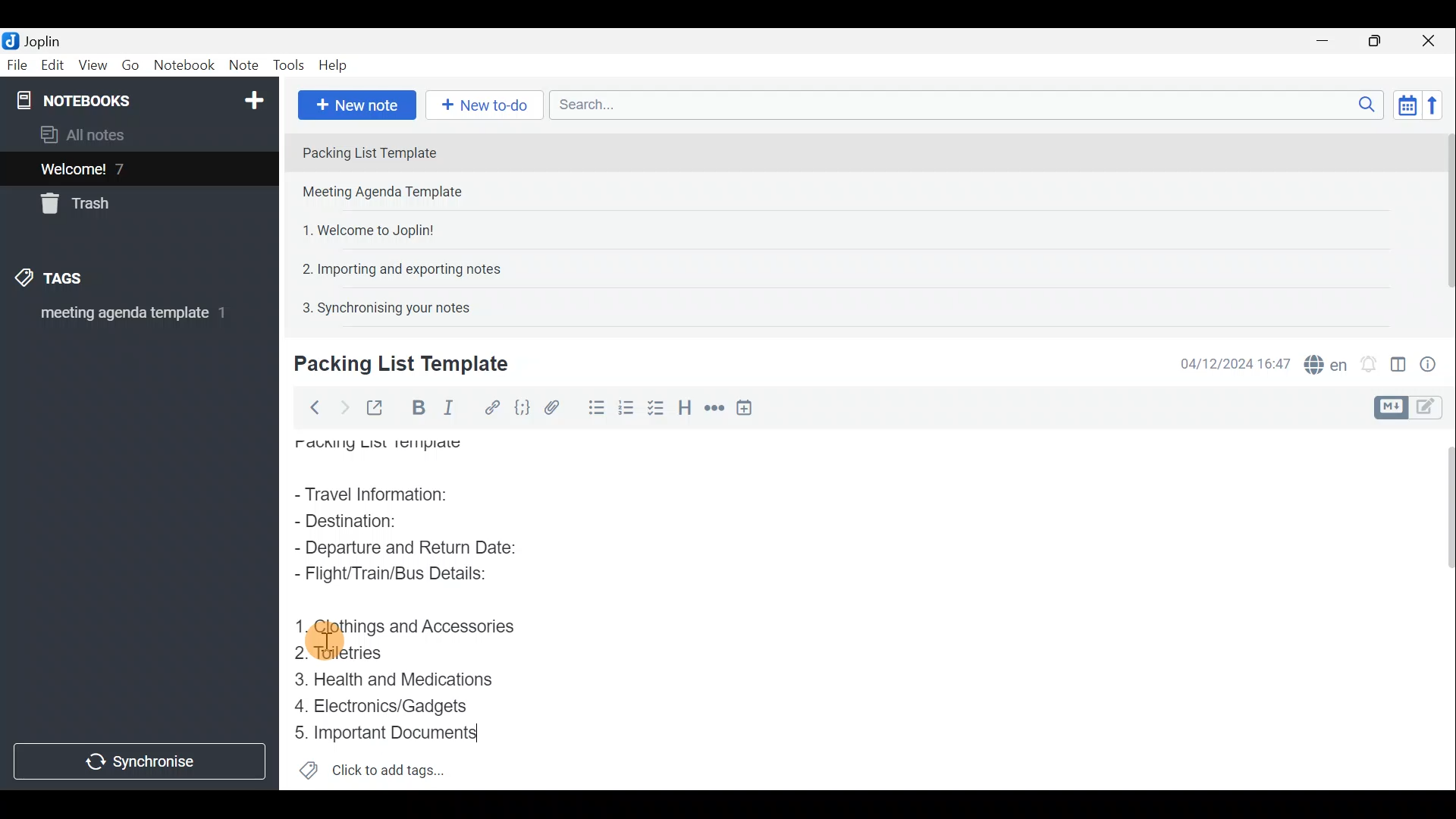  Describe the element at coordinates (15, 64) in the screenshot. I see `File` at that location.